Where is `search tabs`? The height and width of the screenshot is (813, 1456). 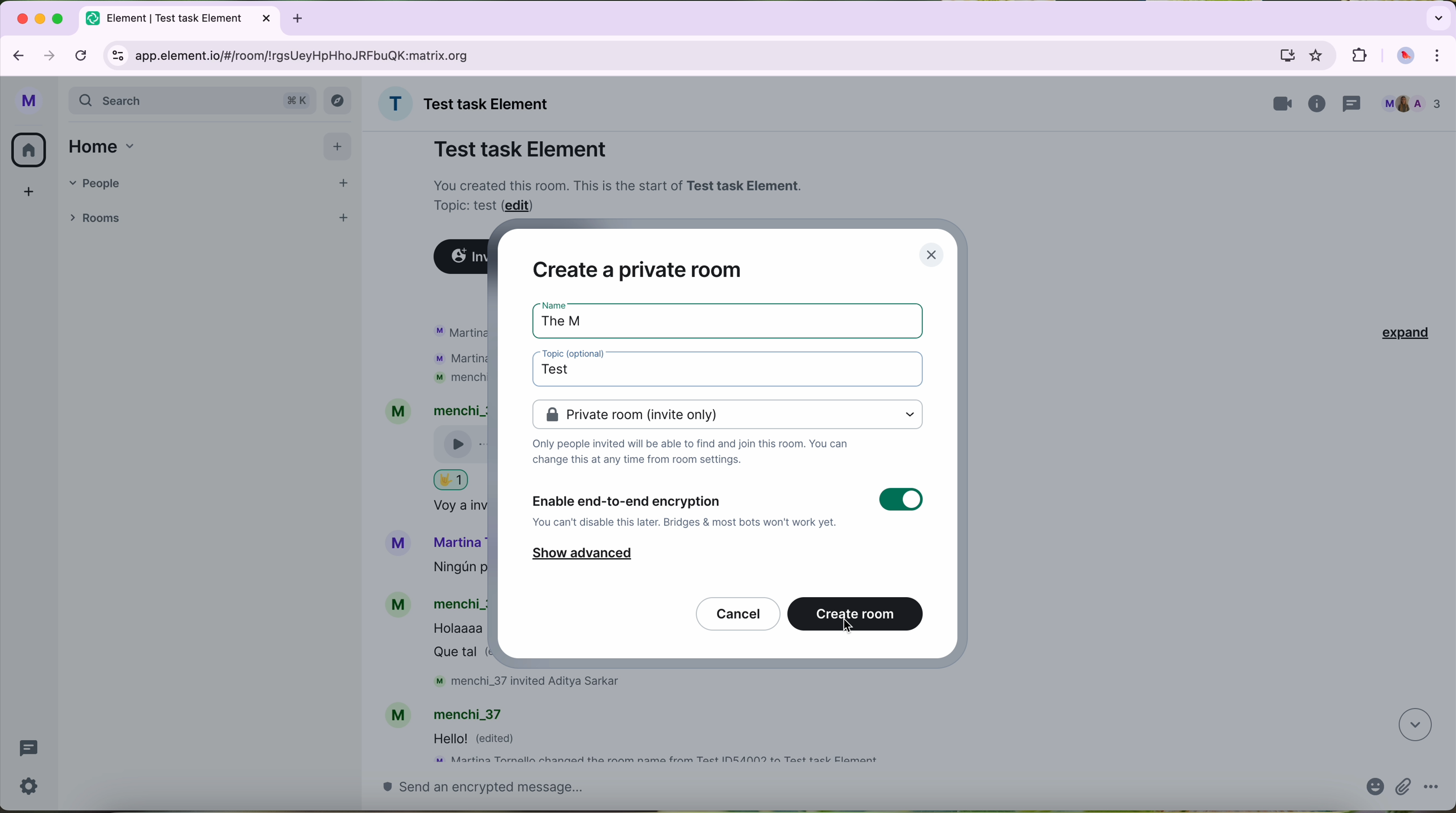 search tabs is located at coordinates (1437, 17).